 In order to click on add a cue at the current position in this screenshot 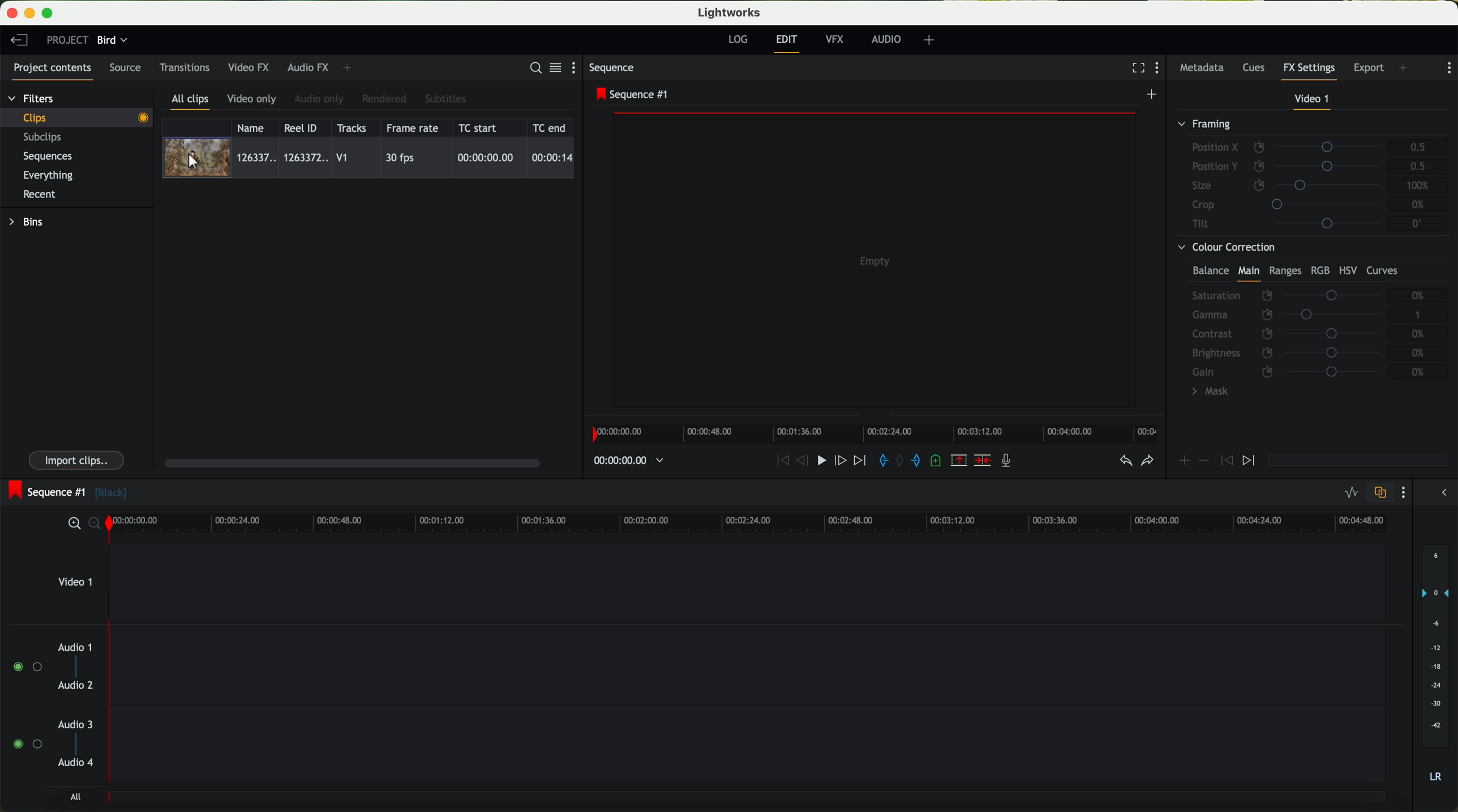, I will do `click(937, 461)`.